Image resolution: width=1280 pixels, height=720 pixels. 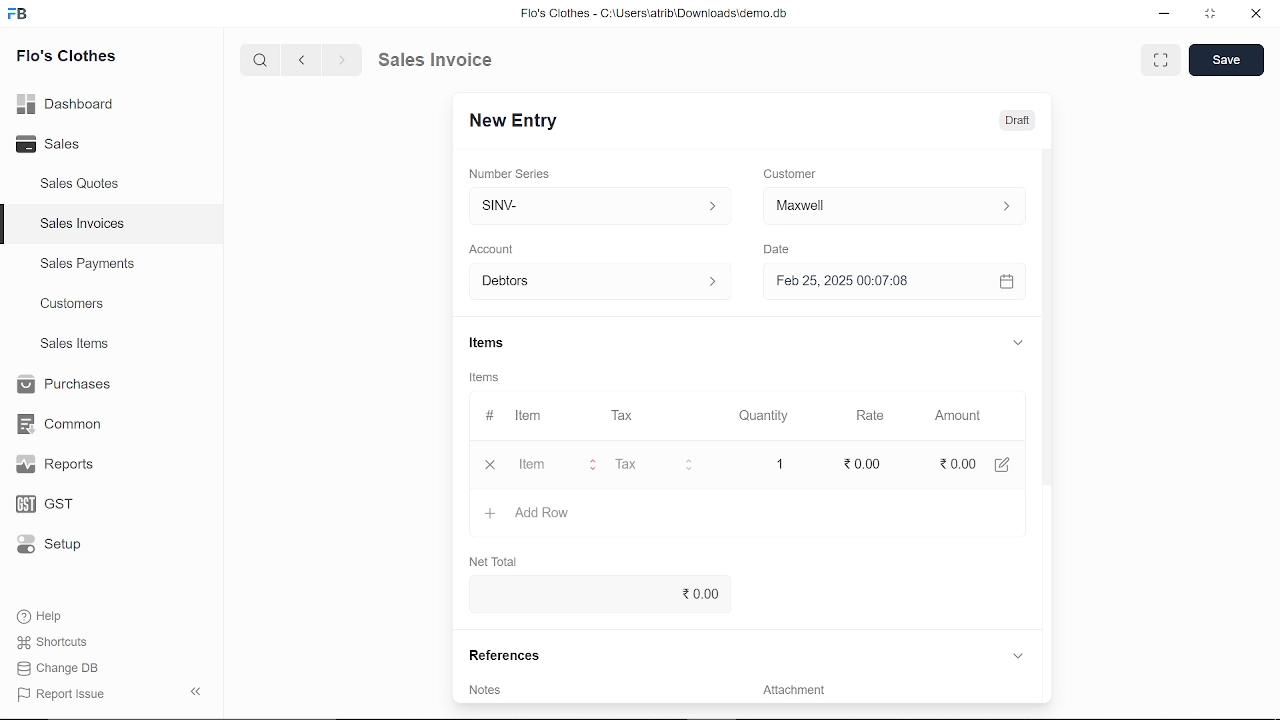 What do you see at coordinates (790, 173) in the screenshot?
I see `Customer` at bounding box center [790, 173].